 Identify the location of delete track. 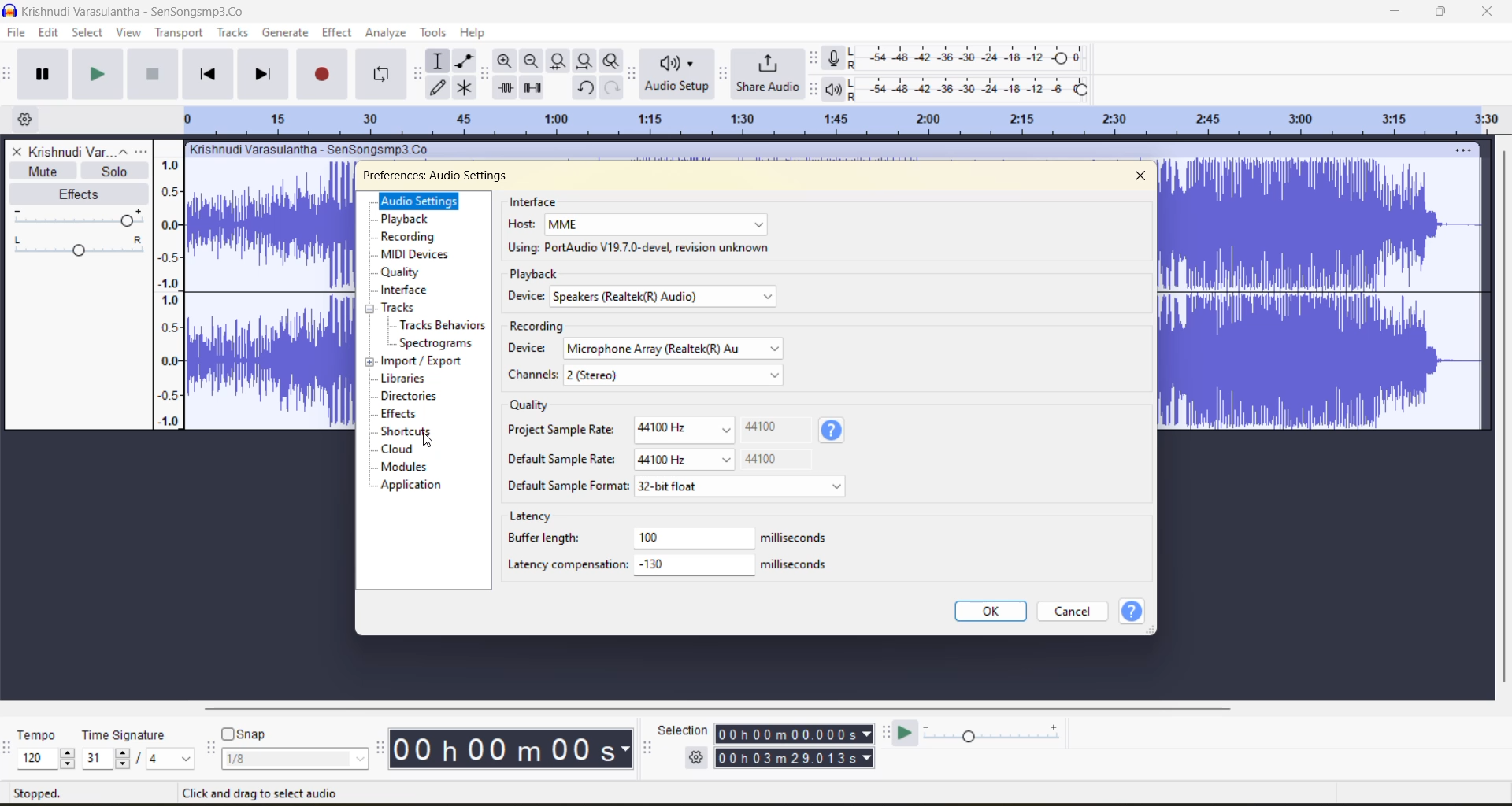
(19, 151).